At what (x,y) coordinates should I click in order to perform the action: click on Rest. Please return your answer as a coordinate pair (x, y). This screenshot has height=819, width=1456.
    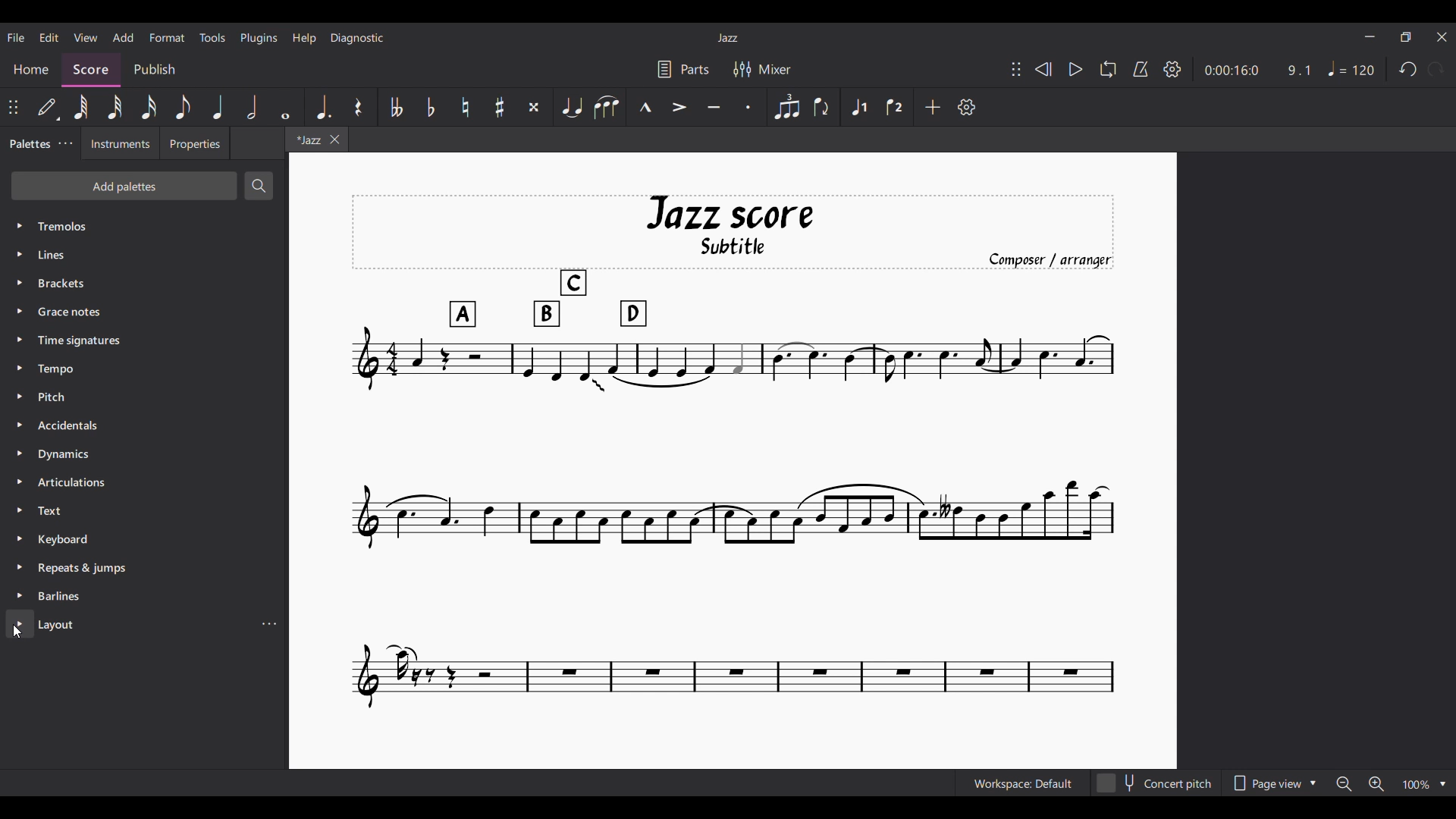
    Looking at the image, I should click on (359, 107).